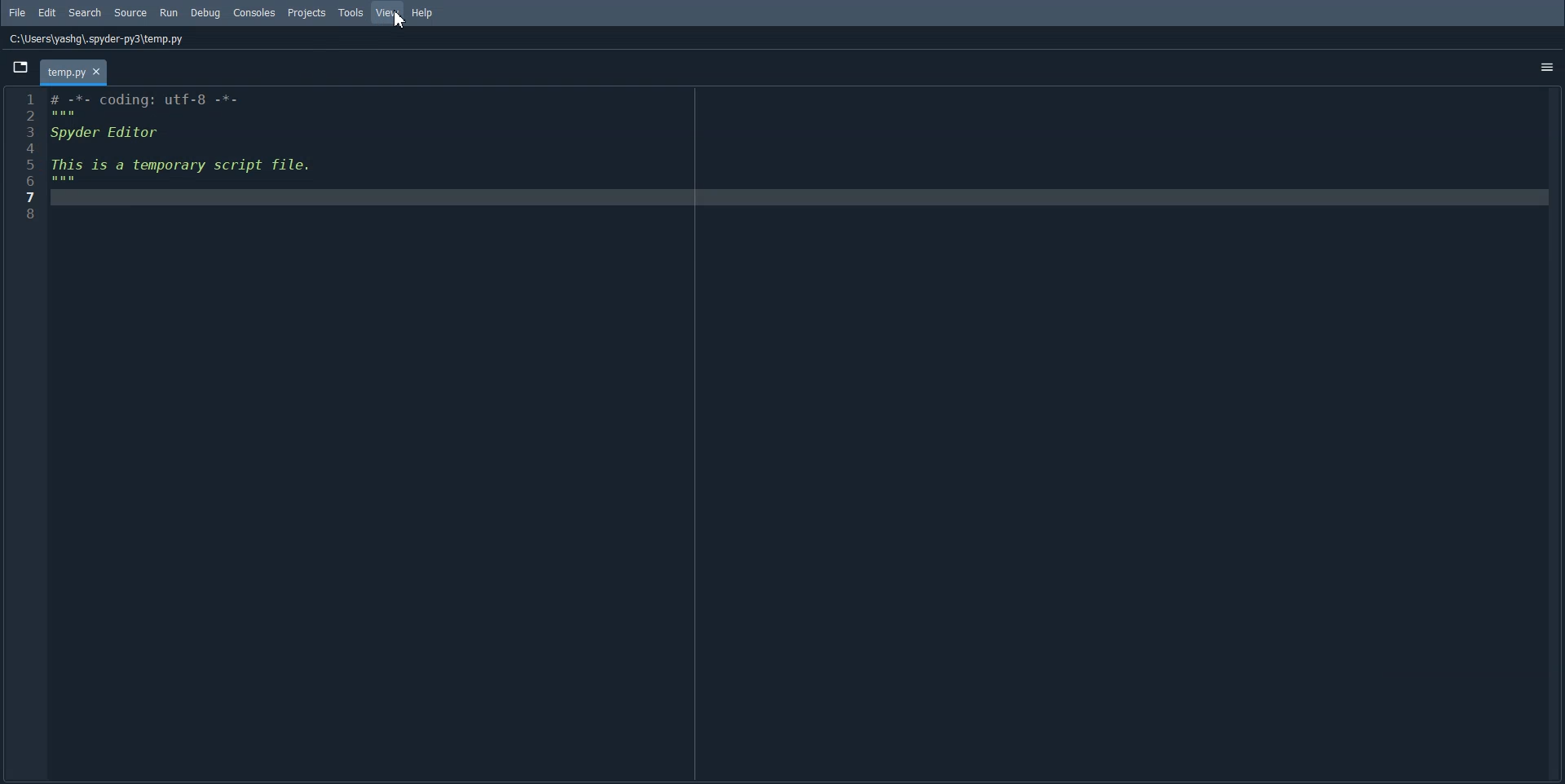 The width and height of the screenshot is (1565, 784). I want to click on Debug, so click(205, 13).